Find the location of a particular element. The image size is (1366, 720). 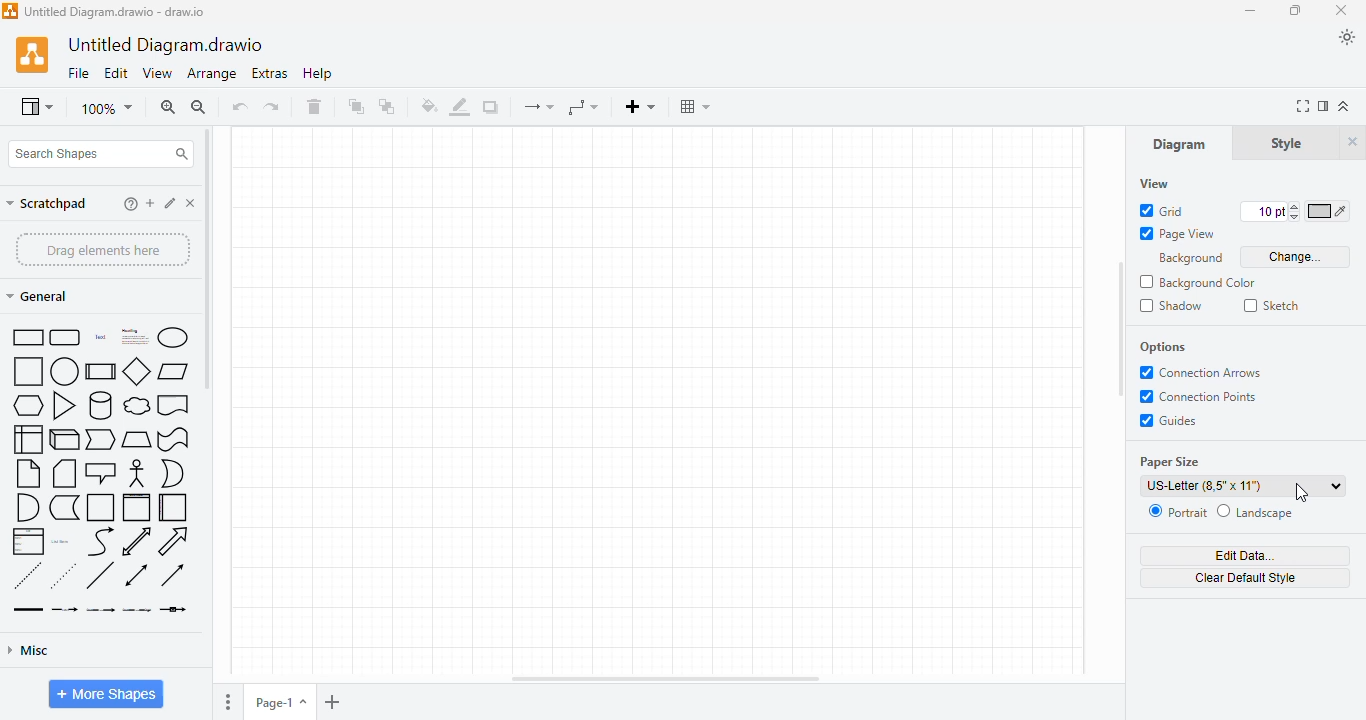

title is located at coordinates (166, 46).